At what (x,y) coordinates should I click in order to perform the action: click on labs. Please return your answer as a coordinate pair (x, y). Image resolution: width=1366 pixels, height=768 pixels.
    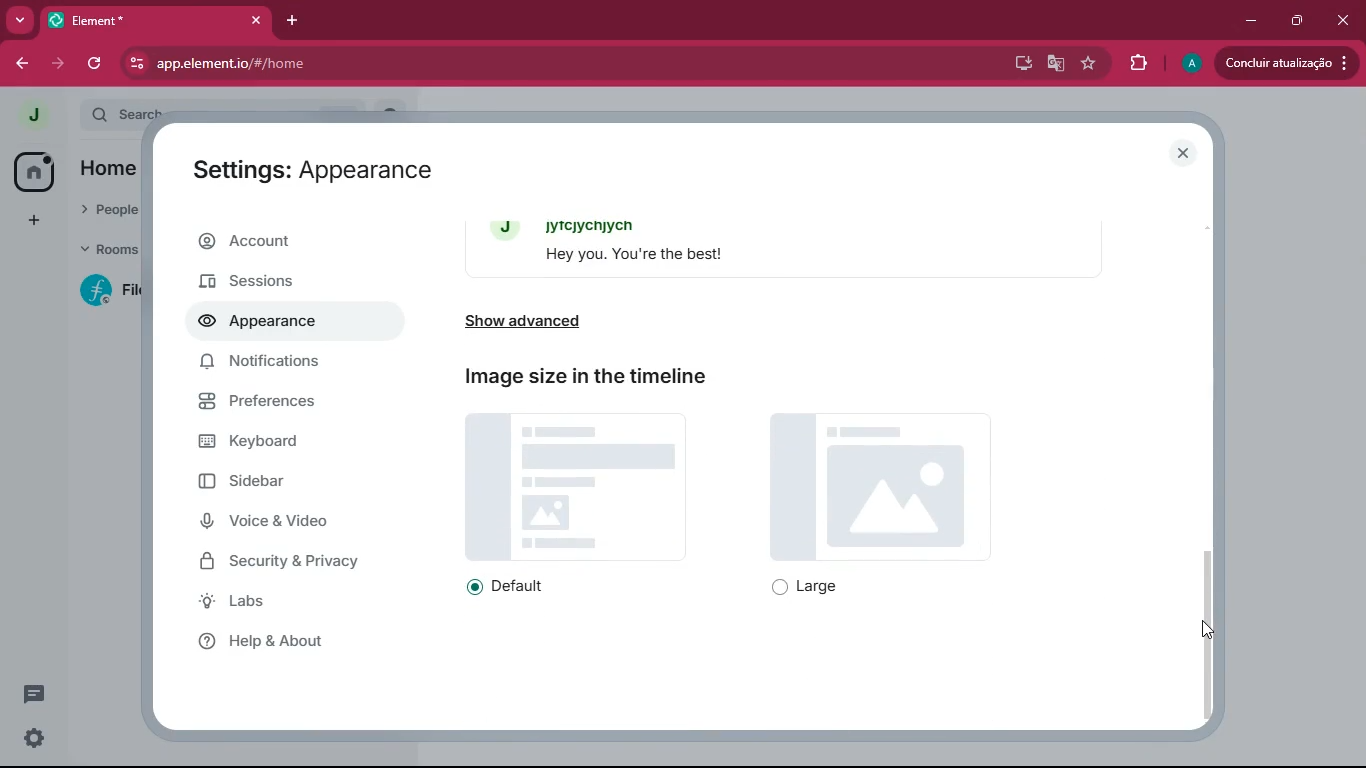
    Looking at the image, I should click on (281, 605).